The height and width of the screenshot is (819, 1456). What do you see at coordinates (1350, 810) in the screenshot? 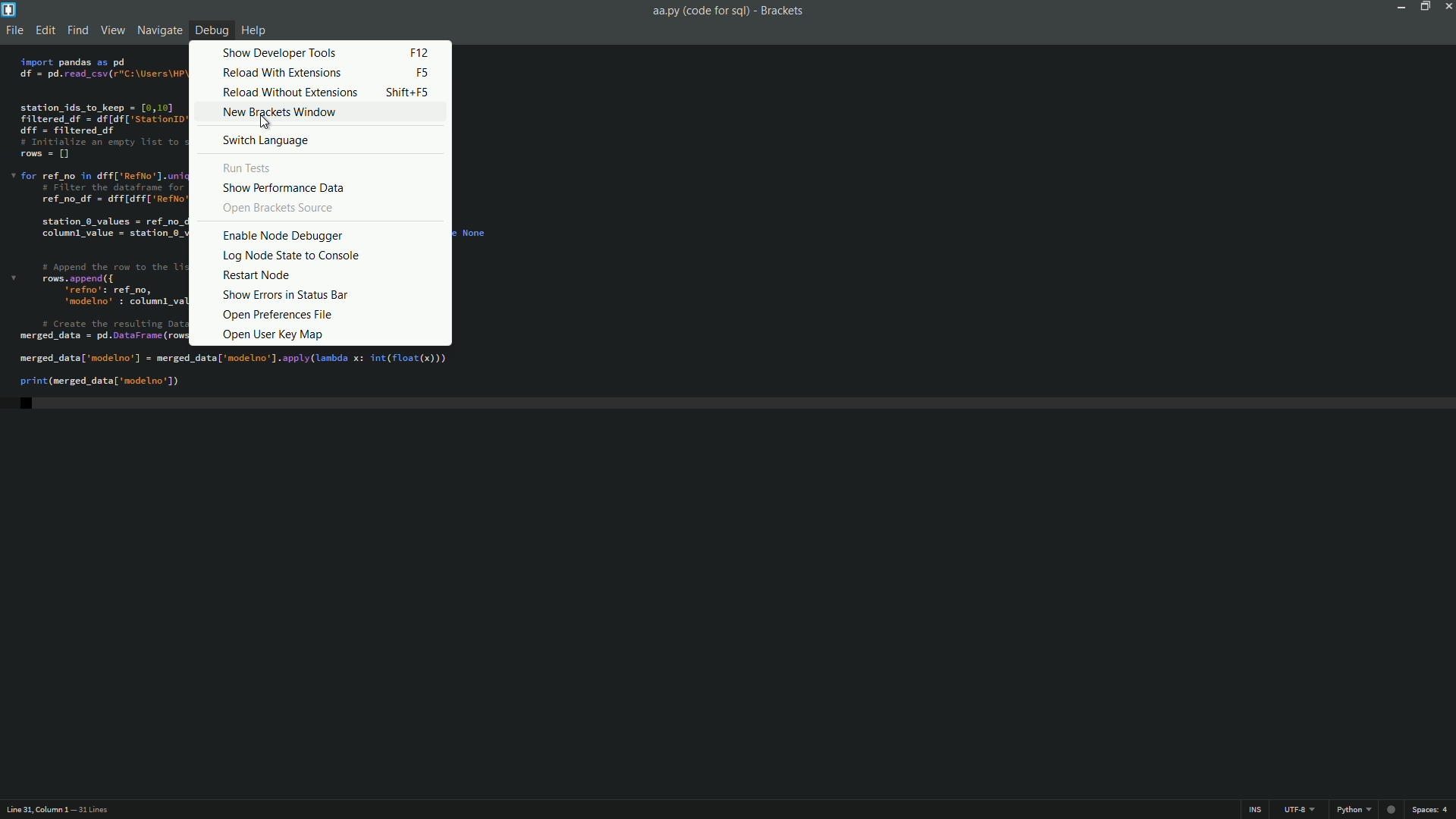
I see `Python` at bounding box center [1350, 810].